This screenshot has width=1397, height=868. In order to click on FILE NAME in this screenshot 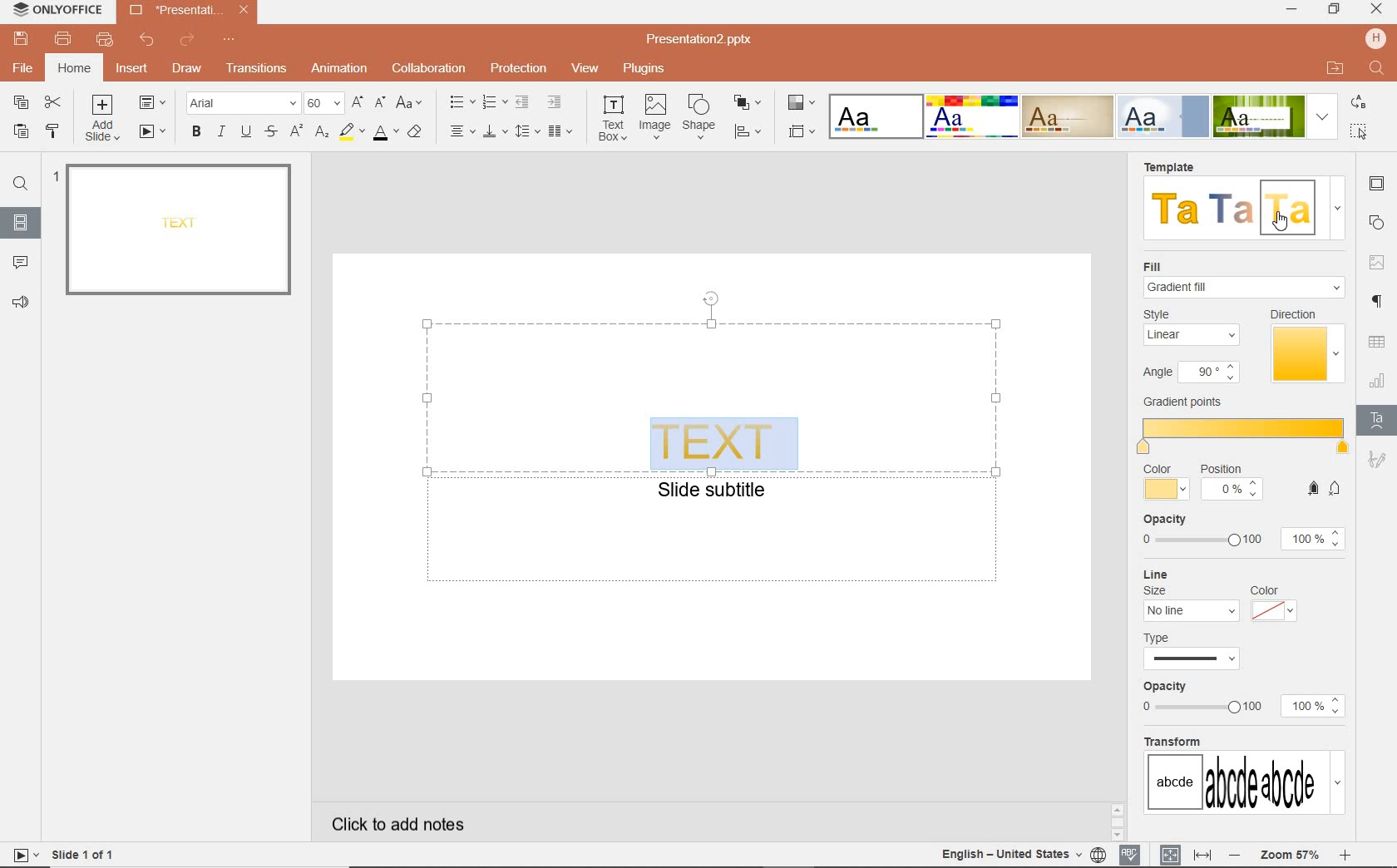, I will do `click(175, 9)`.